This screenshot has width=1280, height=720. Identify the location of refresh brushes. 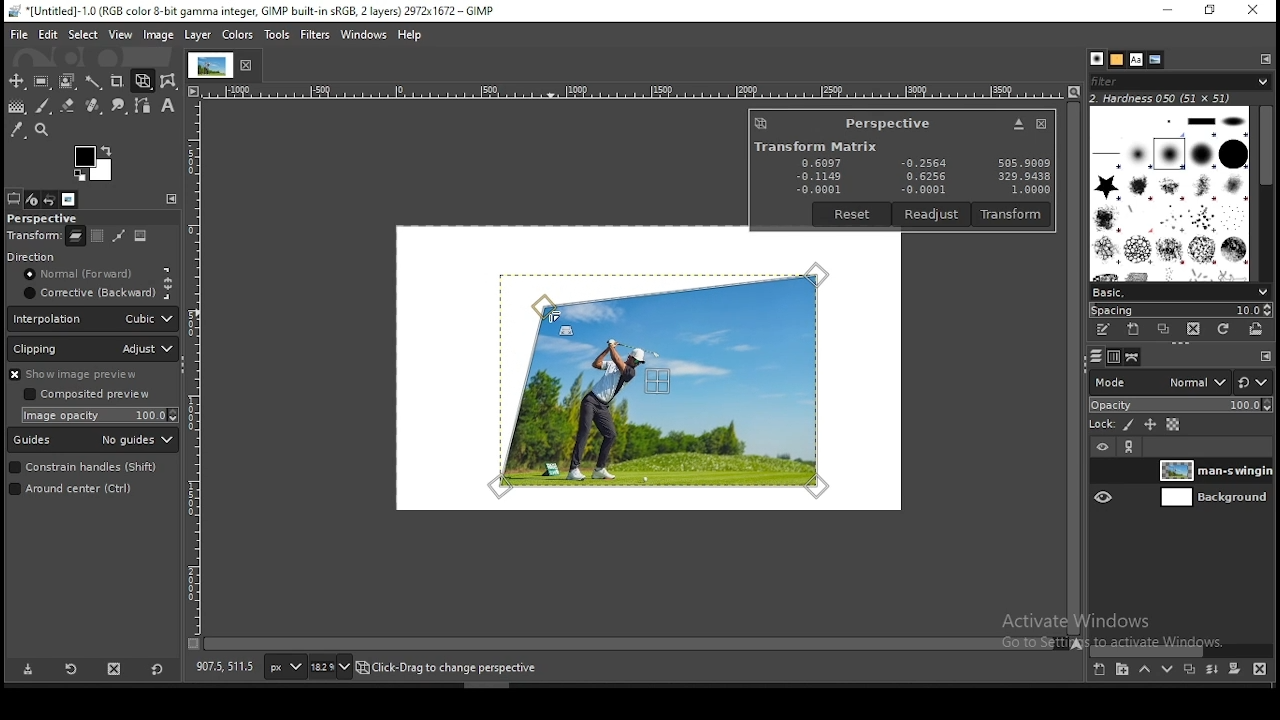
(1224, 328).